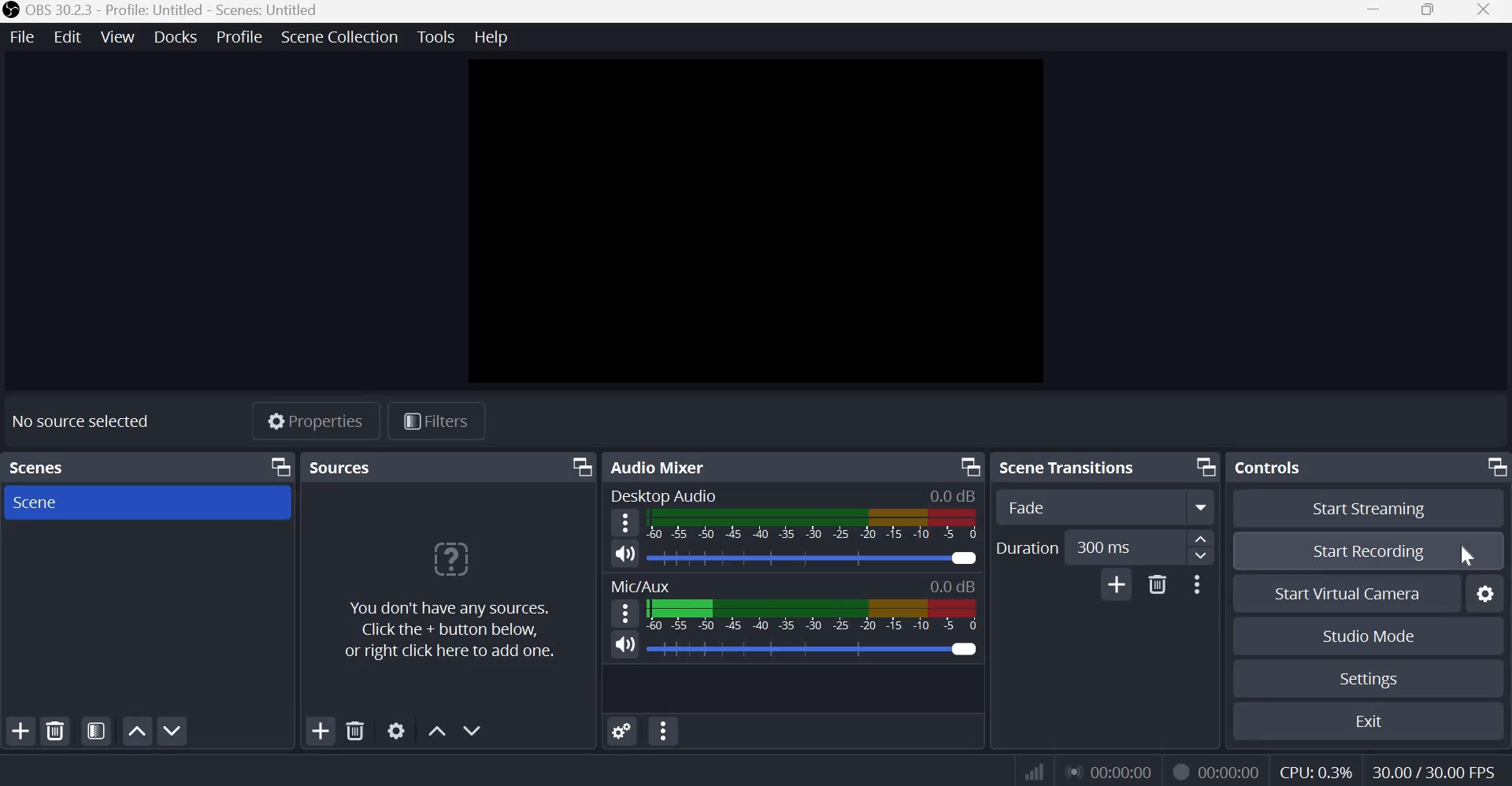 Image resolution: width=1512 pixels, height=786 pixels. I want to click on Canvas, so click(750, 223).